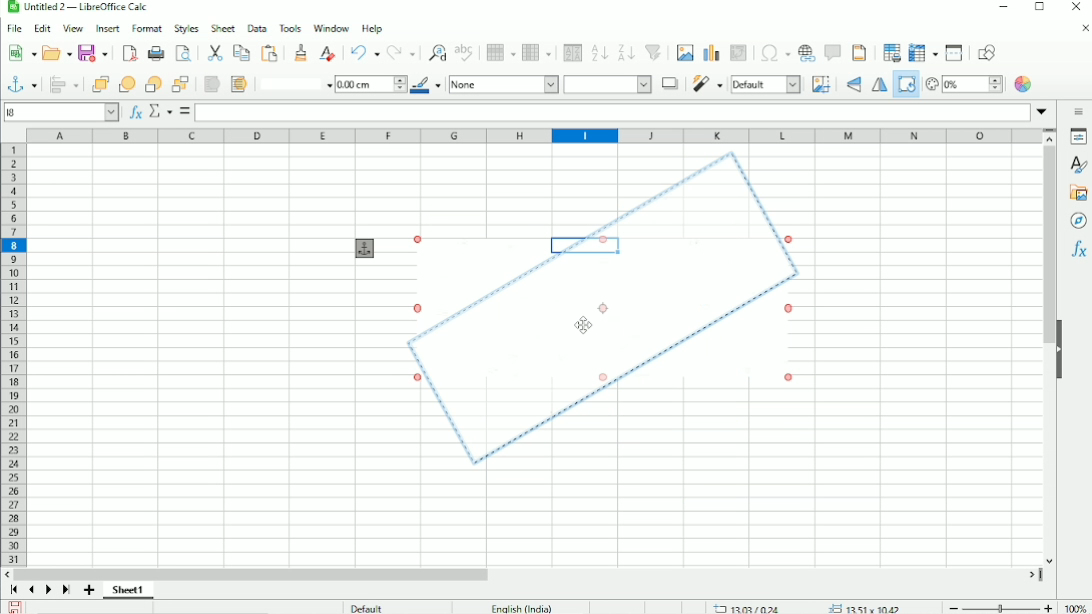 Image resolution: width=1092 pixels, height=614 pixels. Describe the element at coordinates (326, 53) in the screenshot. I see `Clear direct formatting` at that location.